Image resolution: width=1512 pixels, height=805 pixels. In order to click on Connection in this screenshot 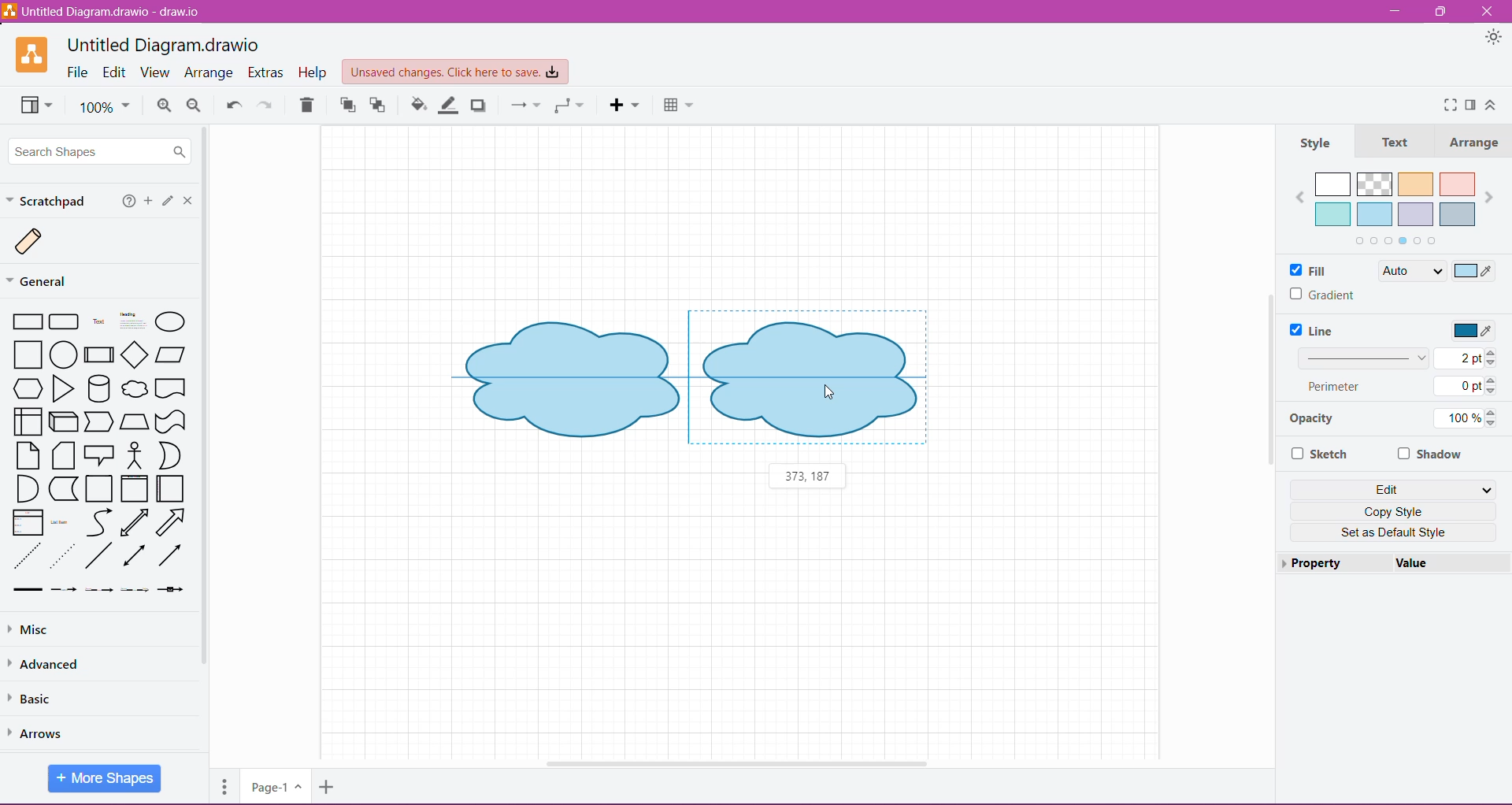, I will do `click(524, 106)`.